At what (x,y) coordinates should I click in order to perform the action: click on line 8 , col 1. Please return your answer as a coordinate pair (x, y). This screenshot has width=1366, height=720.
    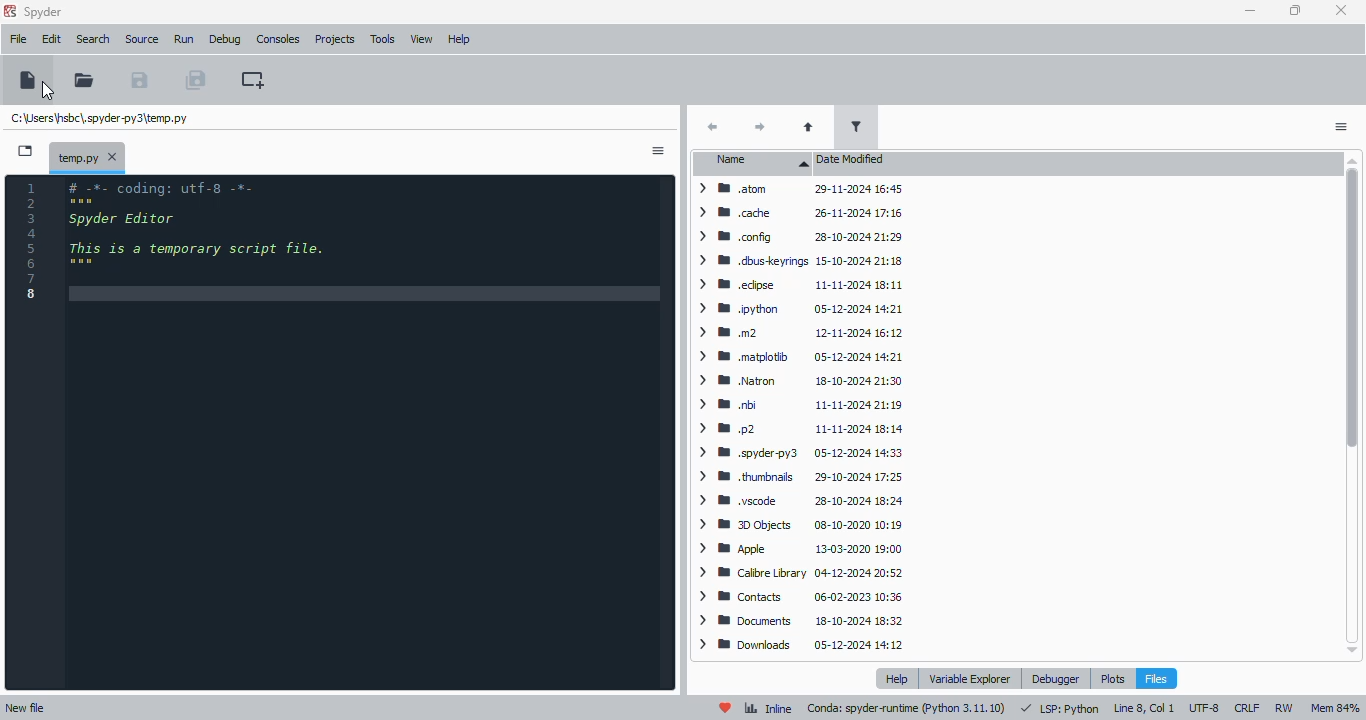
    Looking at the image, I should click on (1144, 709).